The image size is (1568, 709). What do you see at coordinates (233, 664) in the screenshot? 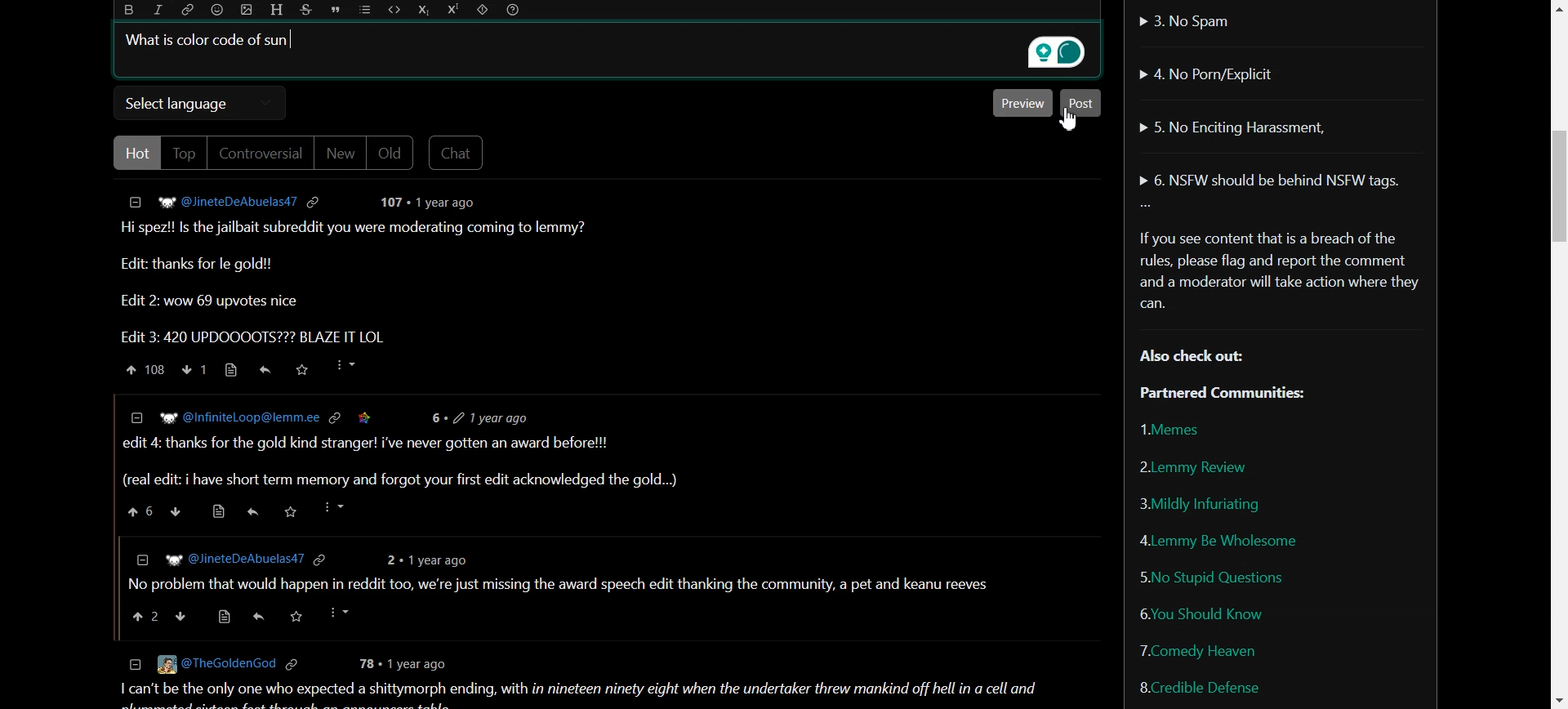
I see `© [Eg @TheGoldenGod` at bounding box center [233, 664].